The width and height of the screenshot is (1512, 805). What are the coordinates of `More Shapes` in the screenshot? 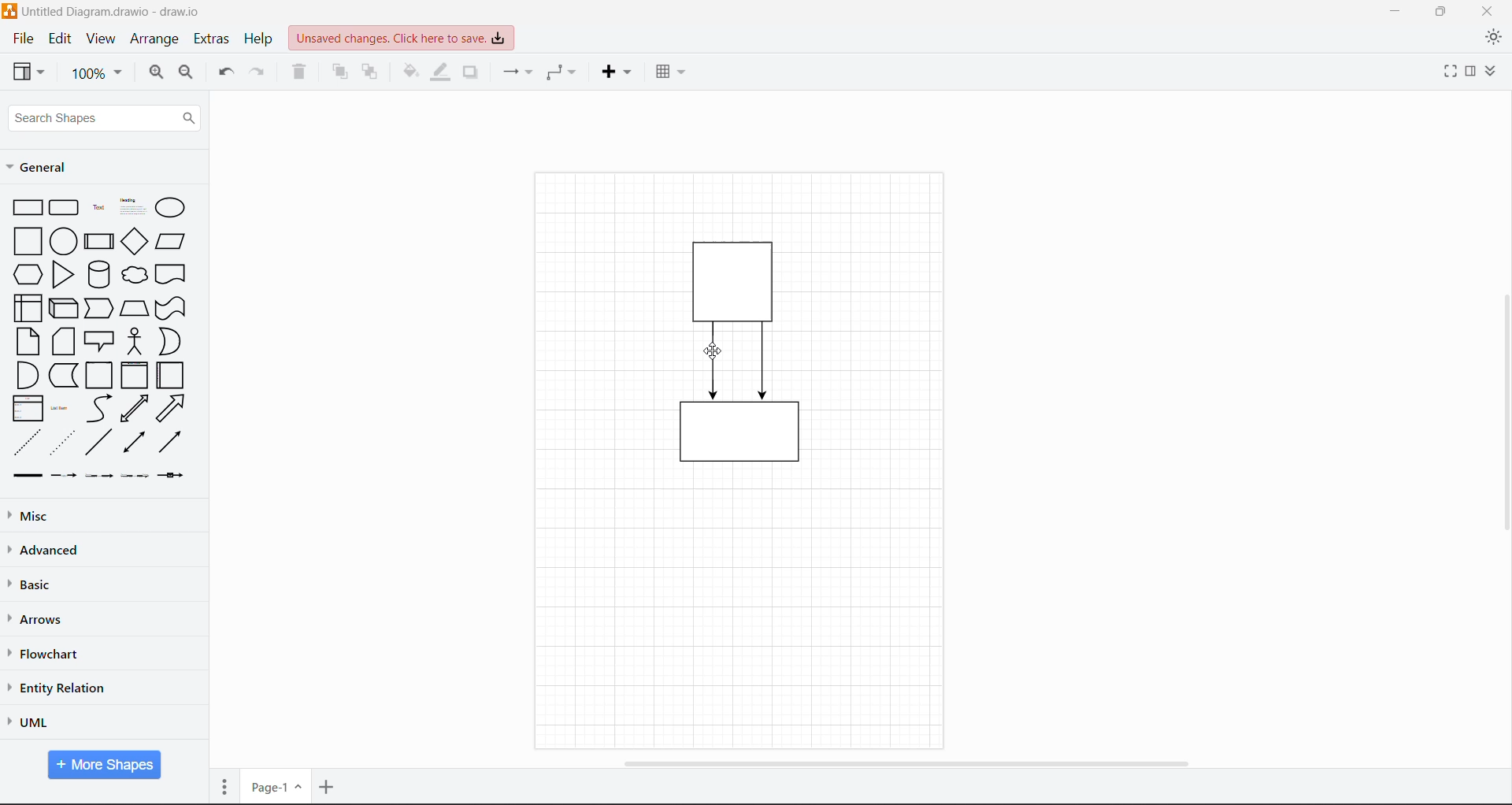 It's located at (105, 765).